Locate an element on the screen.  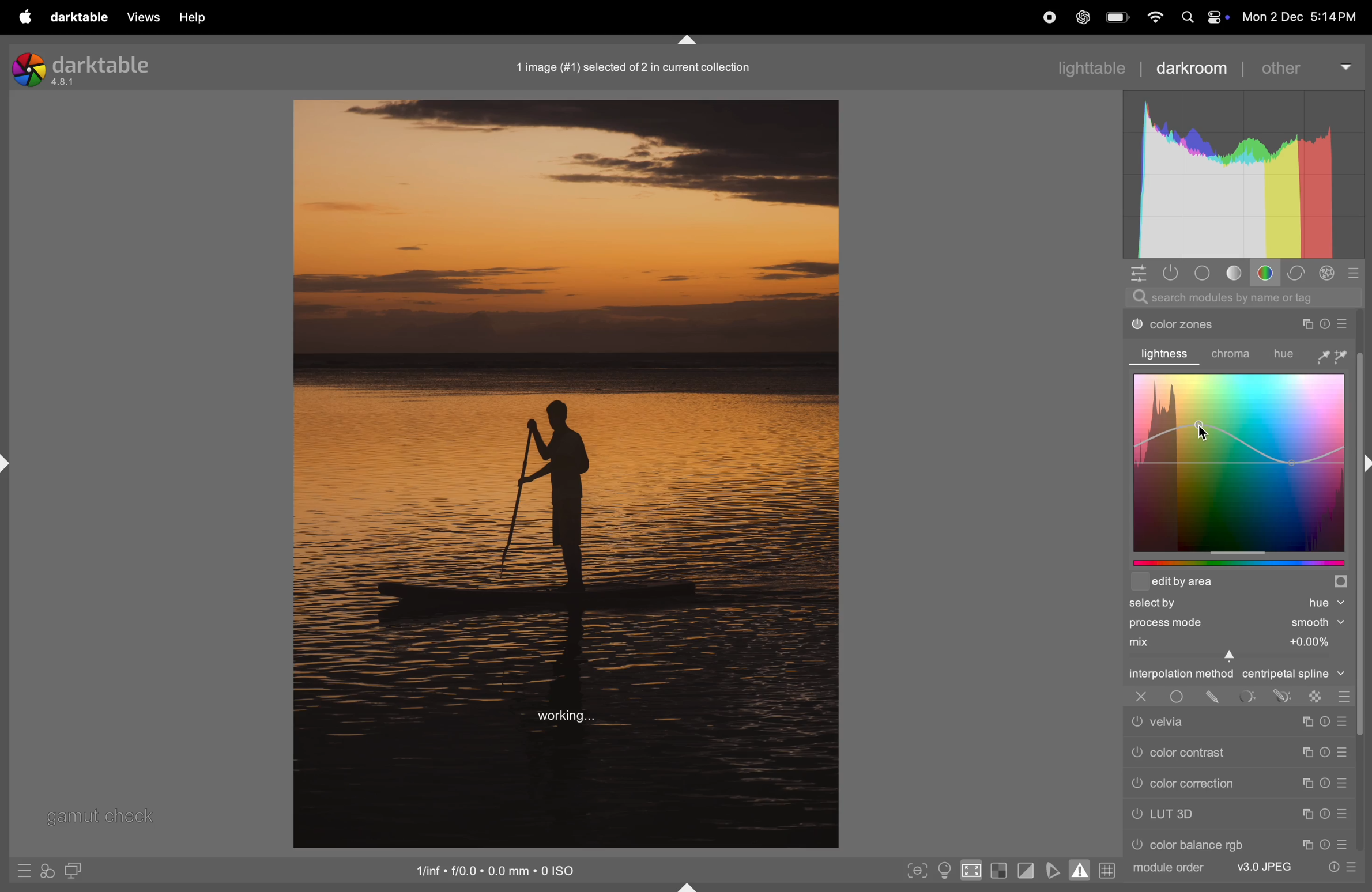
process mode is located at coordinates (1202, 623).